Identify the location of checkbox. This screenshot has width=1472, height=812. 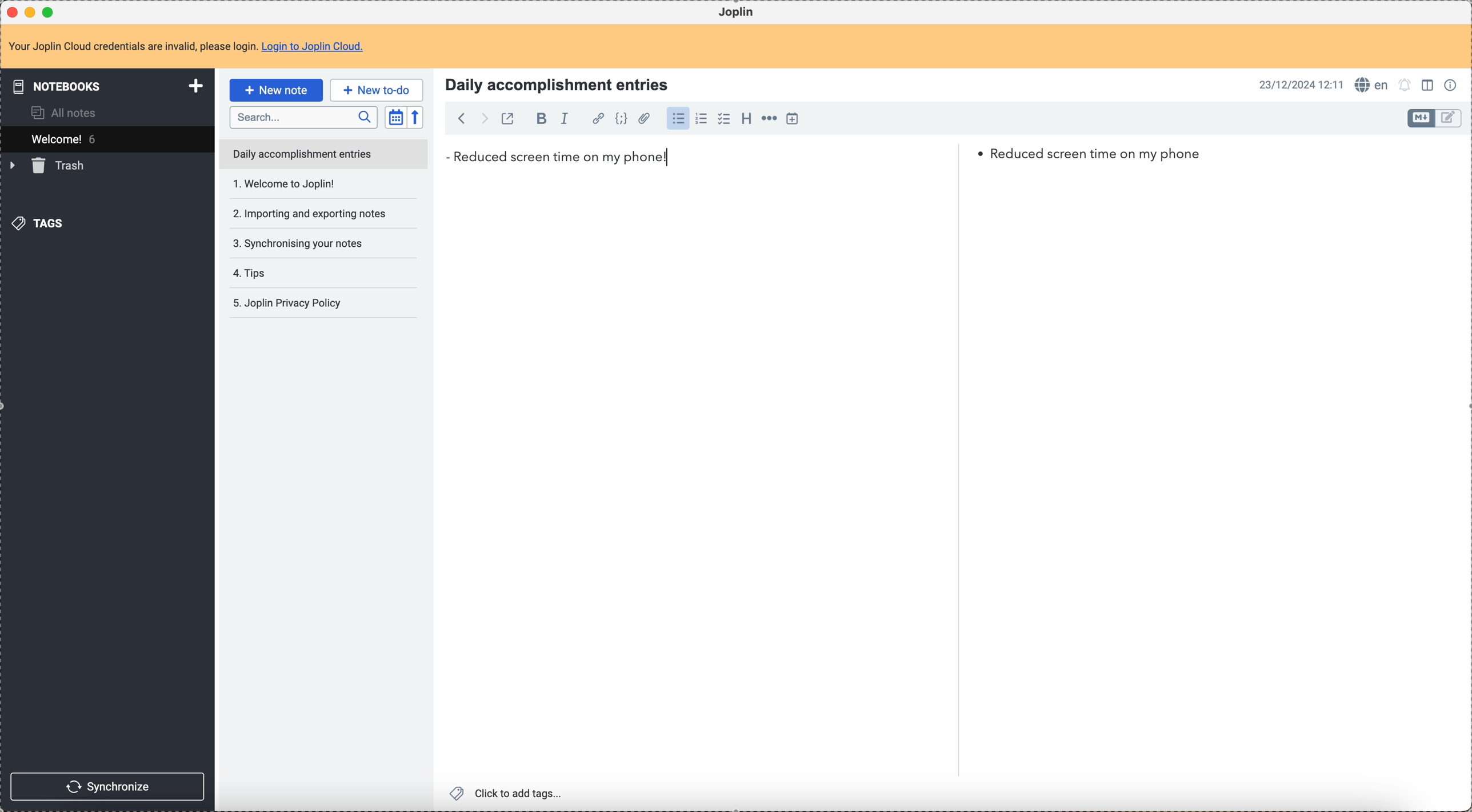
(725, 119).